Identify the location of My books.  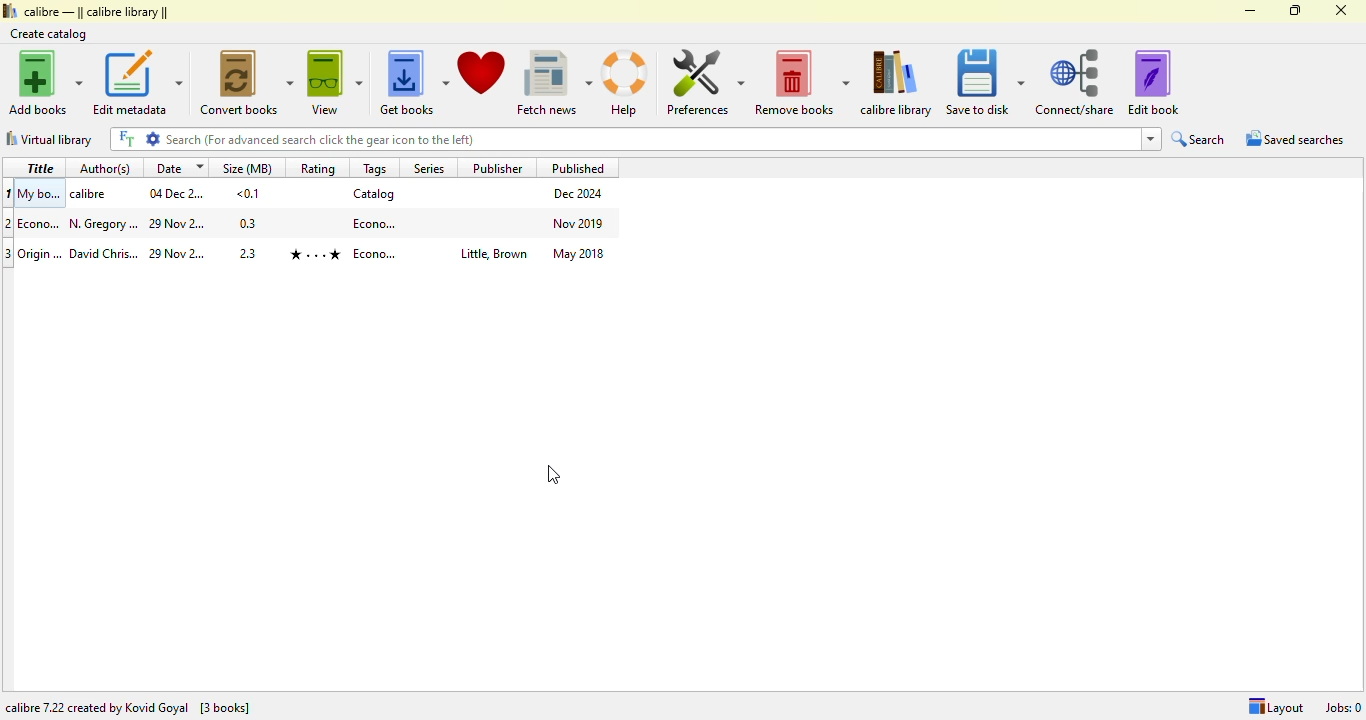
(39, 192).